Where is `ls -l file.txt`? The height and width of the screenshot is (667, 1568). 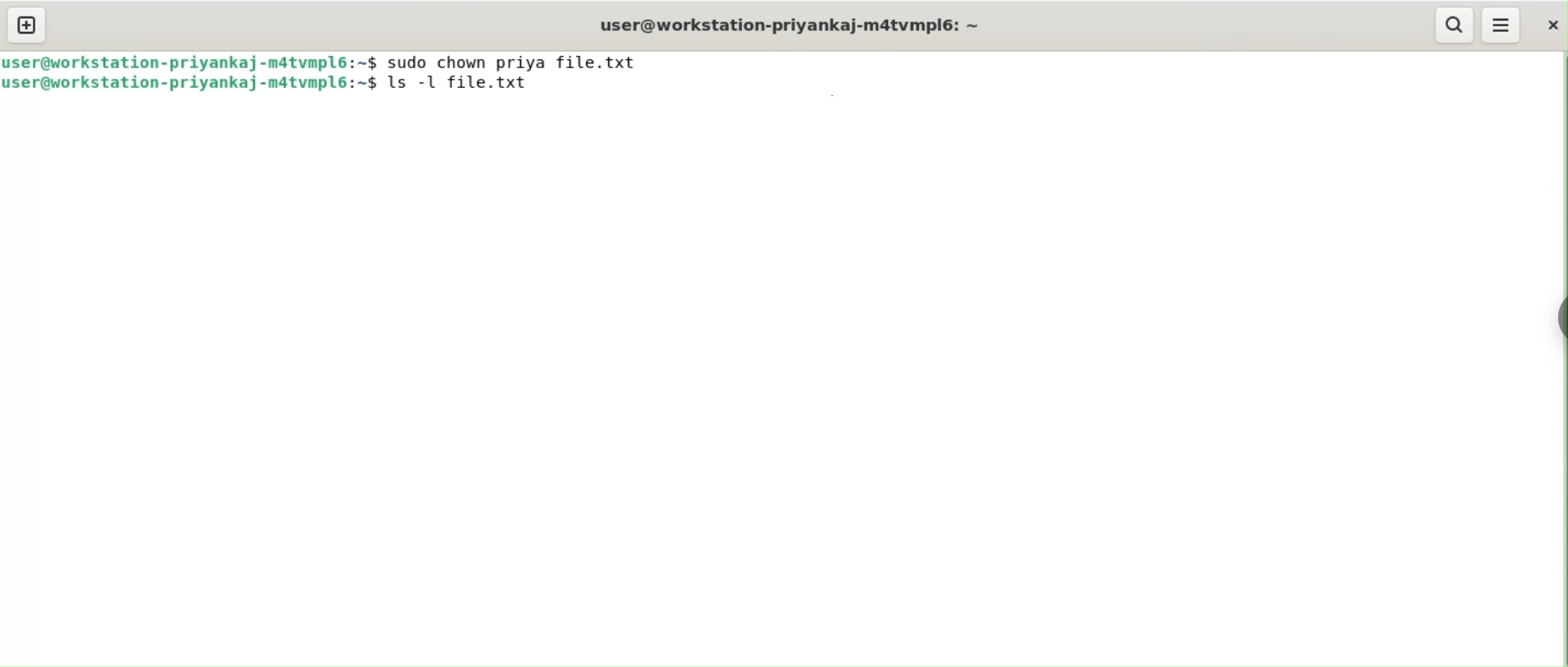
ls -l file.txt is located at coordinates (473, 84).